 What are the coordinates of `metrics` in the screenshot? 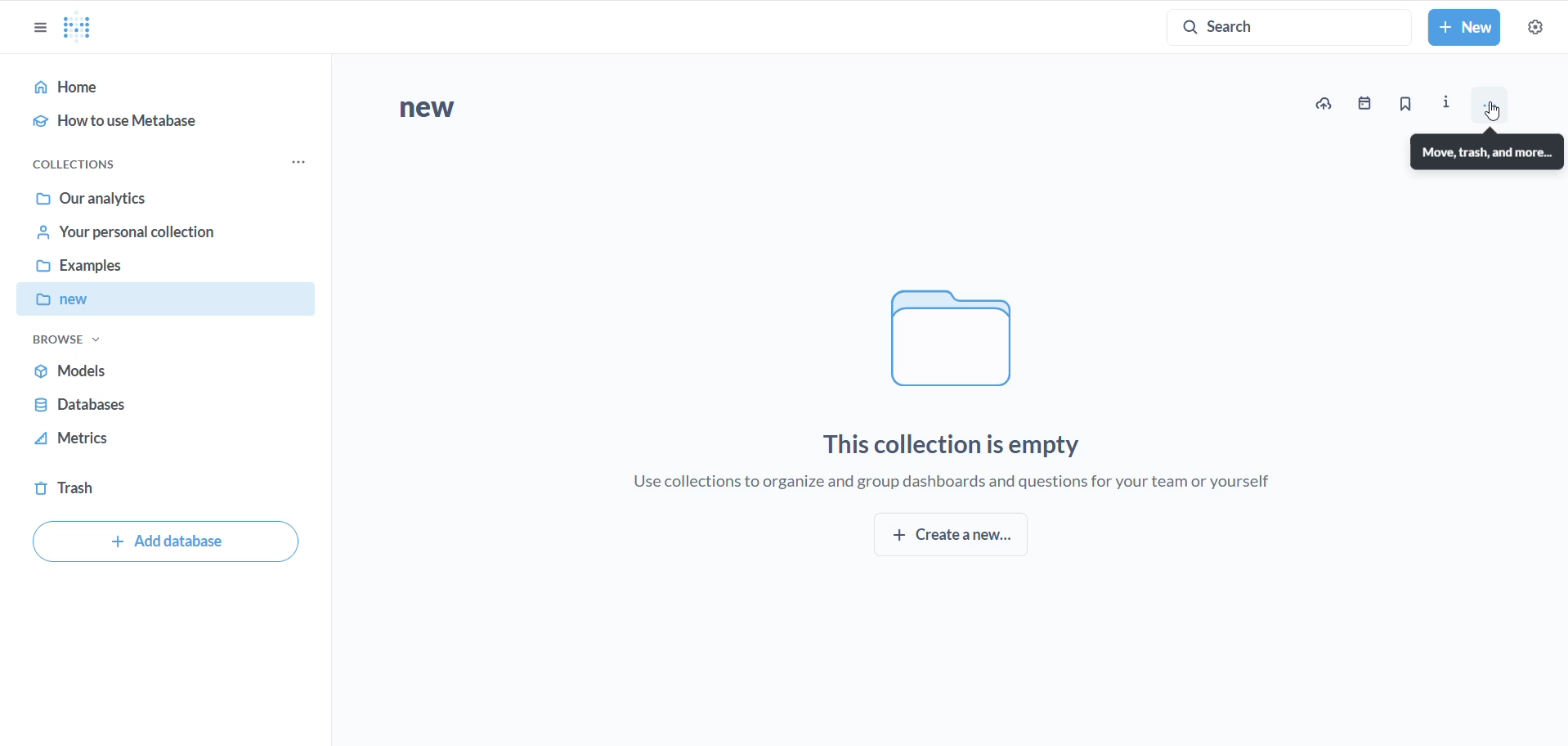 It's located at (121, 443).